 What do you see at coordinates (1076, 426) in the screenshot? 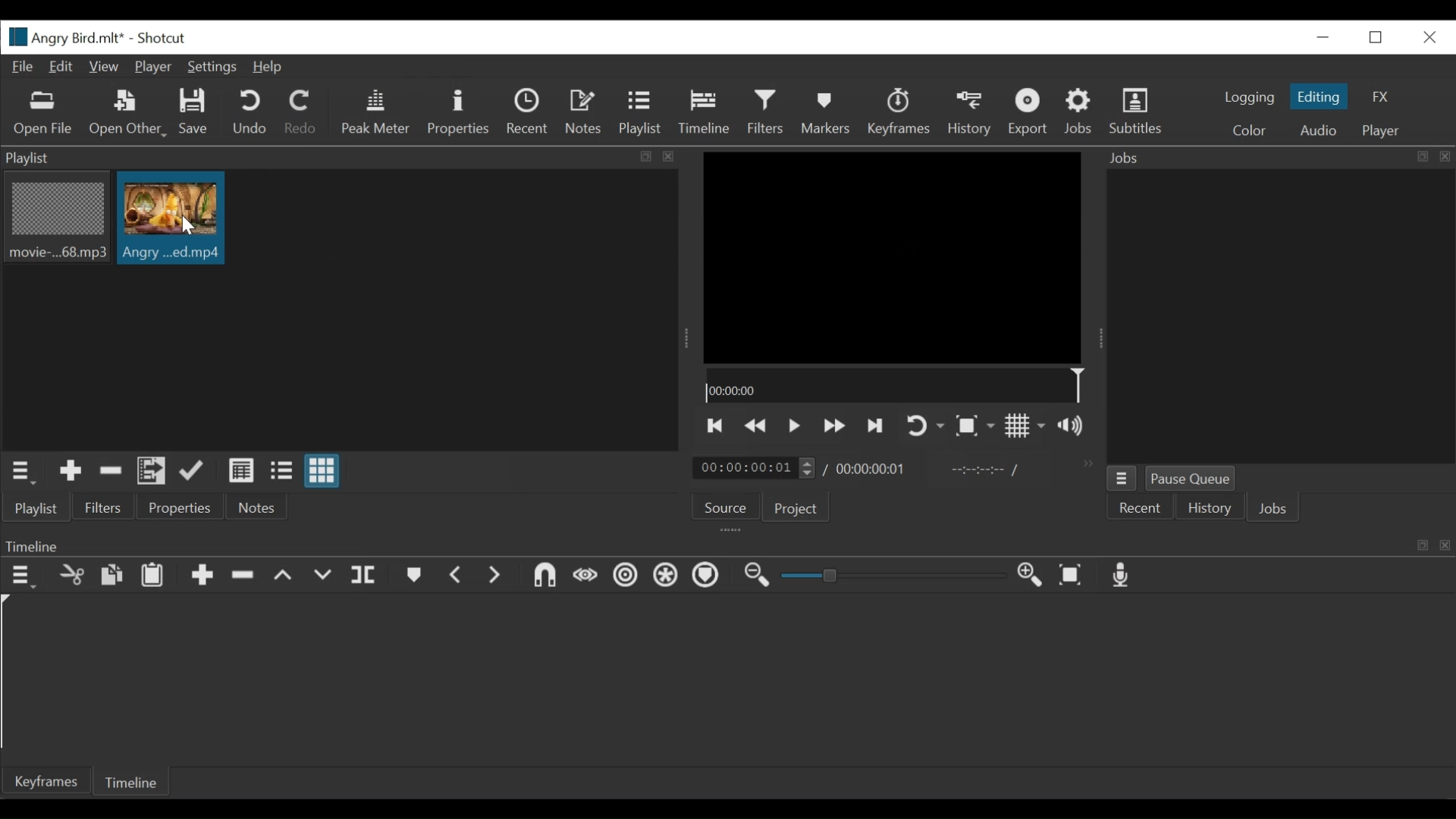
I see `Show volume control` at bounding box center [1076, 426].